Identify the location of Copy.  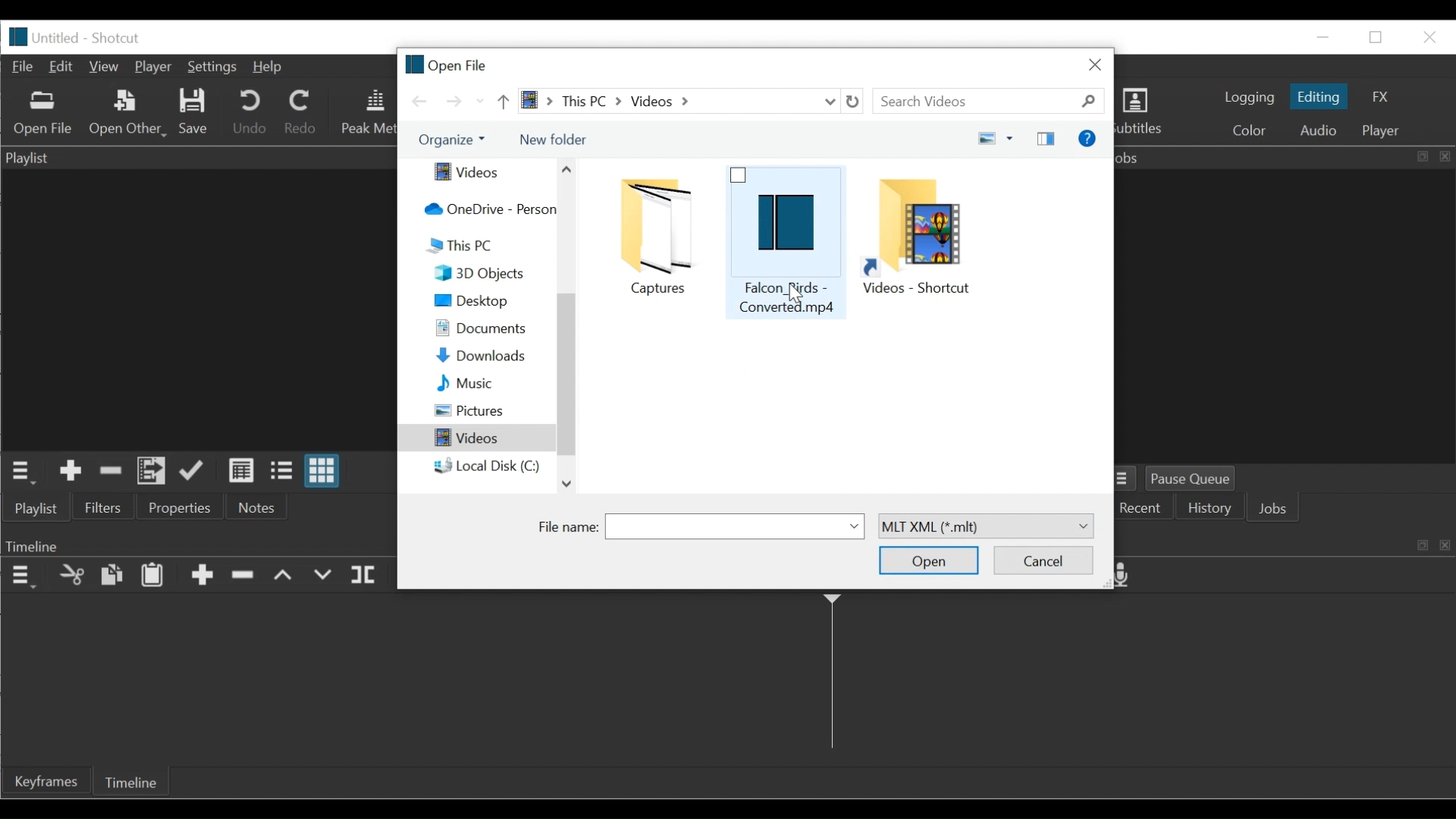
(111, 576).